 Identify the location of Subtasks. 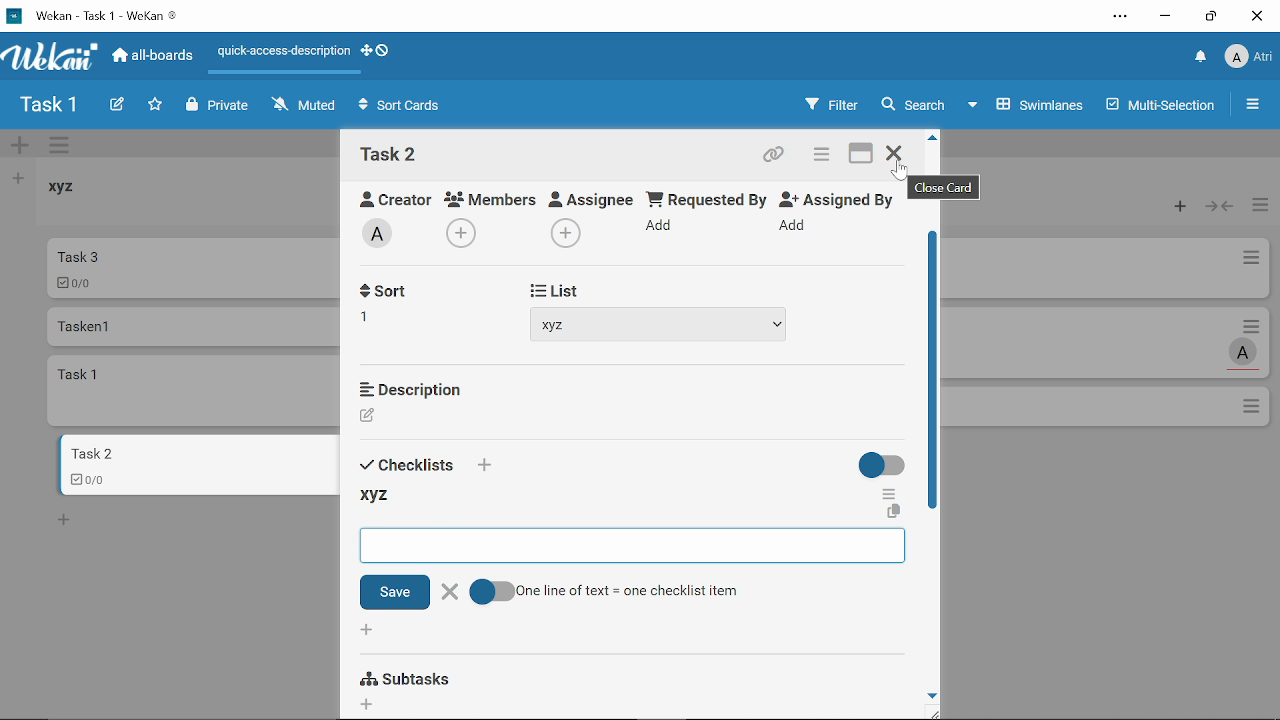
(430, 679).